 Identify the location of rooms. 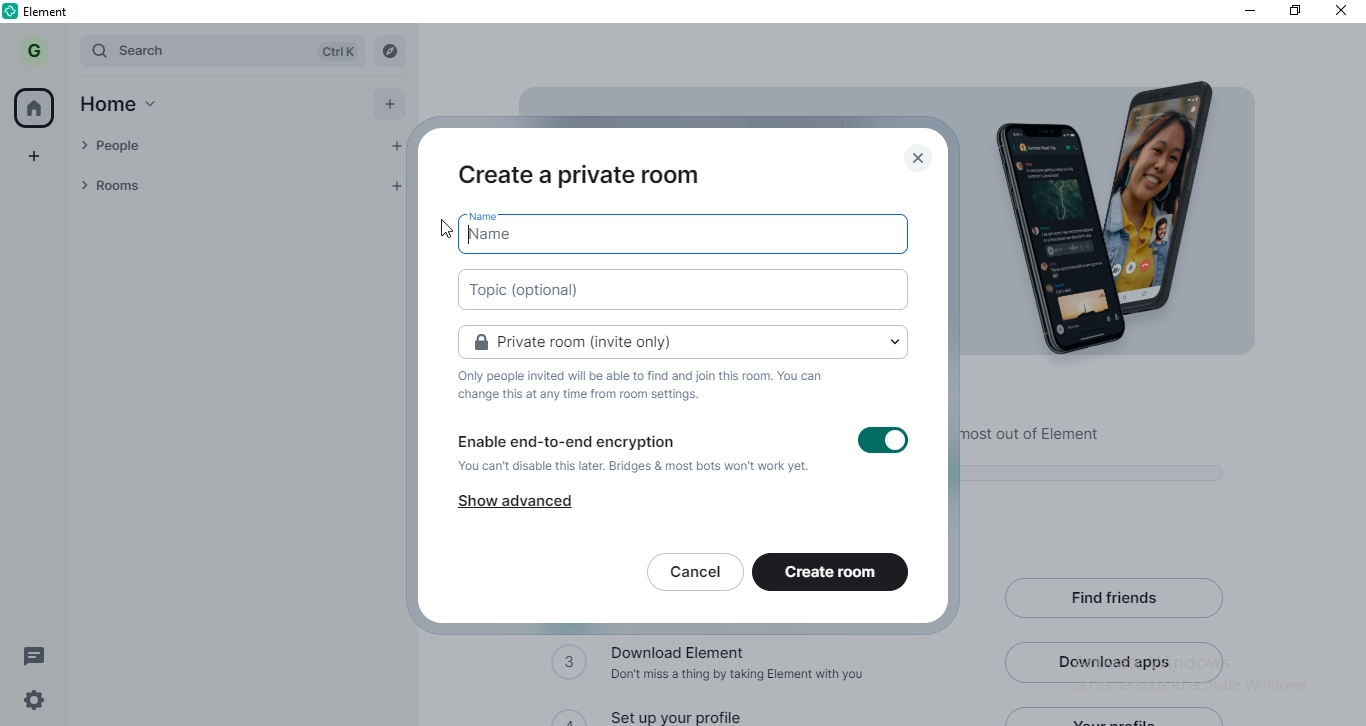
(220, 185).